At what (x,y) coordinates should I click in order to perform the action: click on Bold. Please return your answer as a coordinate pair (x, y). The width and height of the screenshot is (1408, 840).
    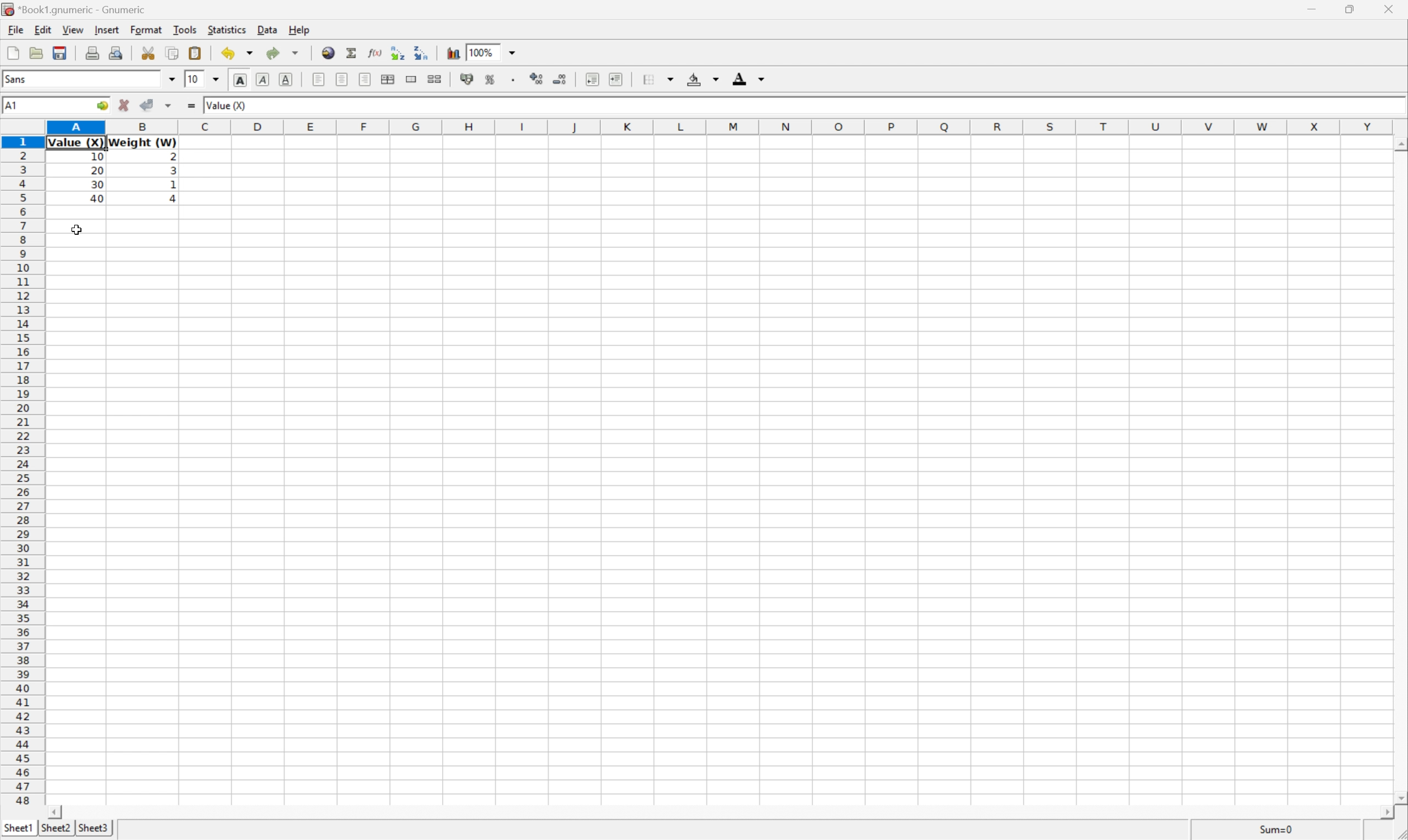
    Looking at the image, I should click on (241, 79).